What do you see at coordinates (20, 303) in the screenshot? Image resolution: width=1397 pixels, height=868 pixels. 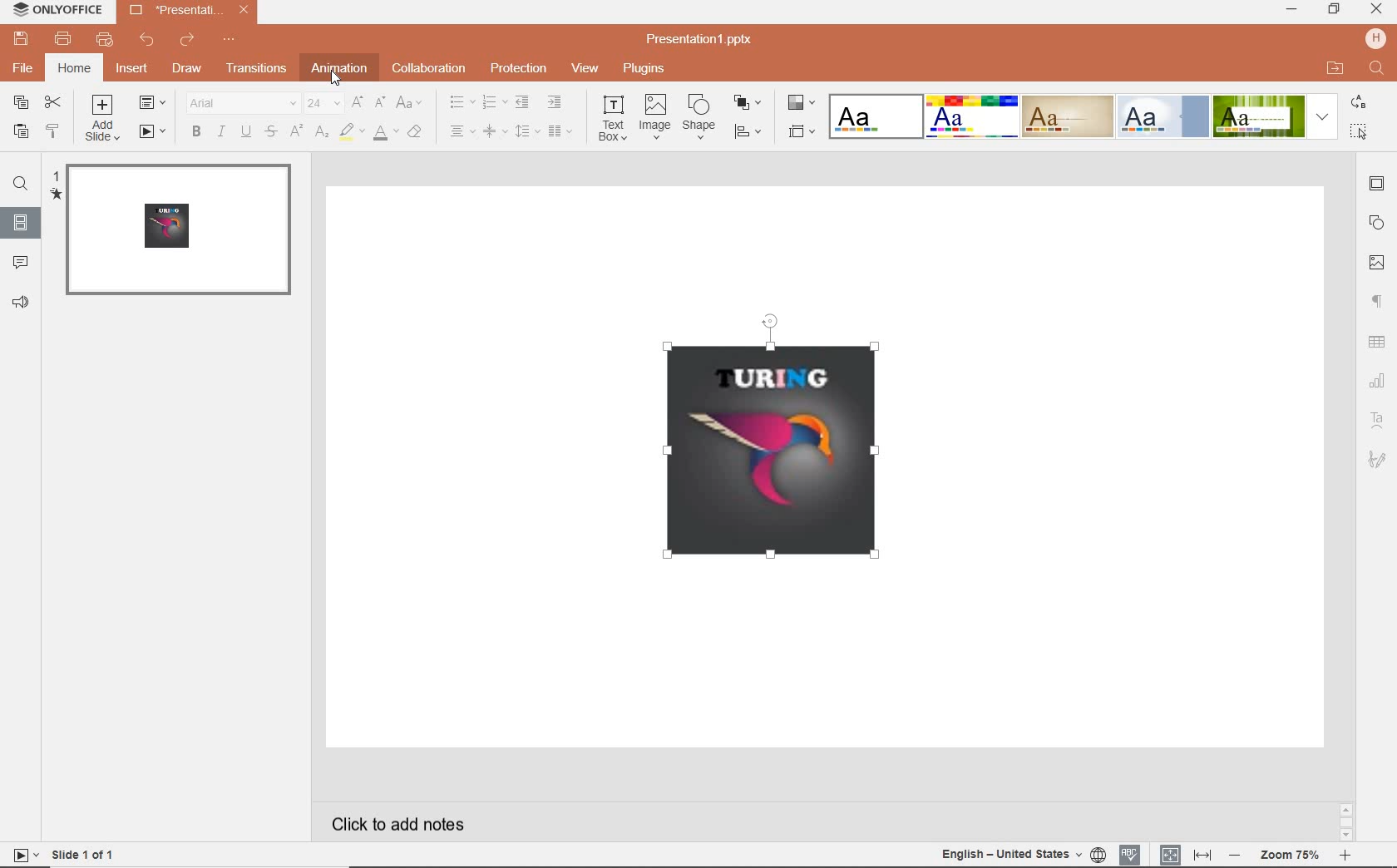 I see `feedback & support` at bounding box center [20, 303].